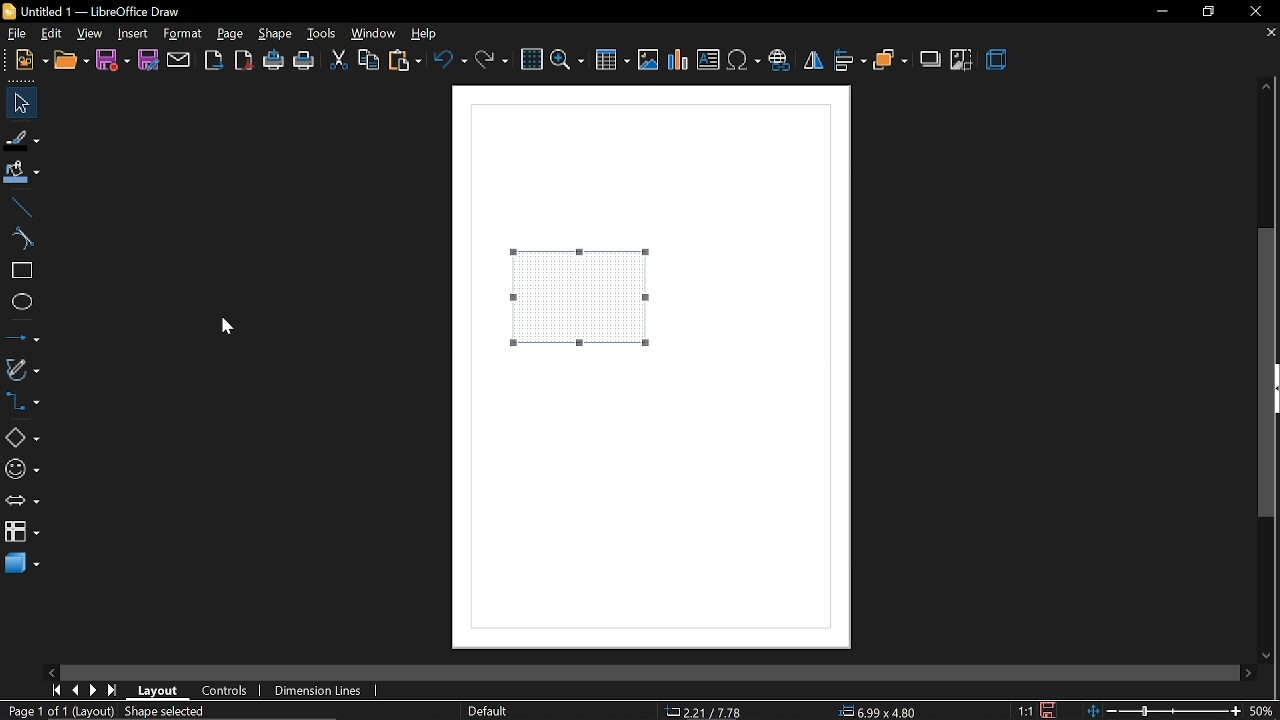 Image resolution: width=1280 pixels, height=720 pixels. I want to click on insert table, so click(614, 61).